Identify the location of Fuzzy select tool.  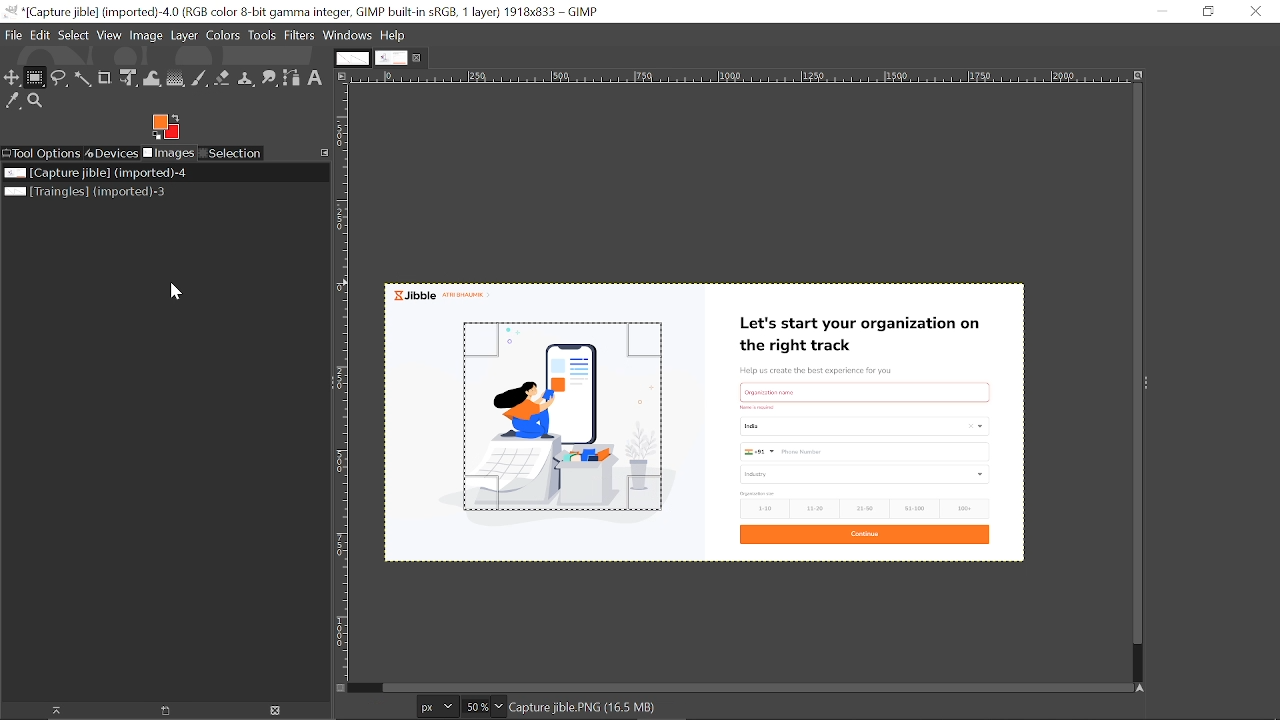
(82, 79).